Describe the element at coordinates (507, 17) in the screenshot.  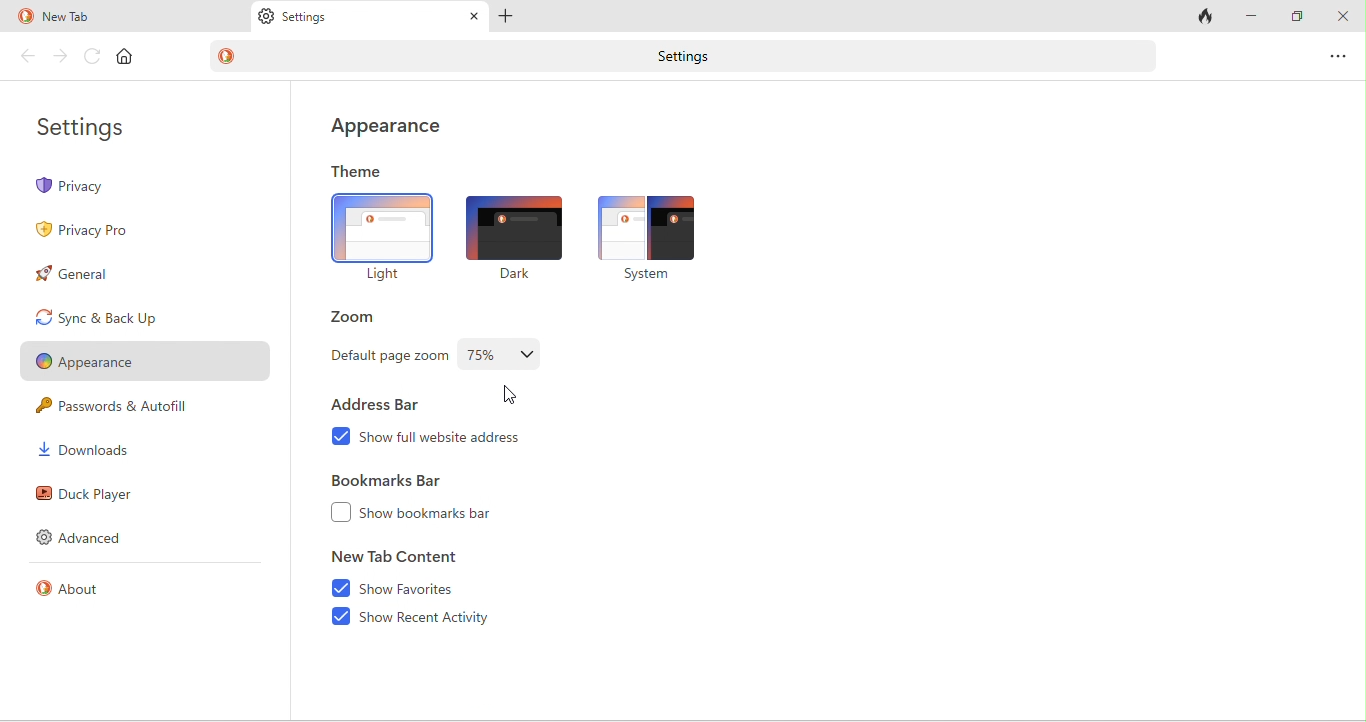
I see `add` at that location.